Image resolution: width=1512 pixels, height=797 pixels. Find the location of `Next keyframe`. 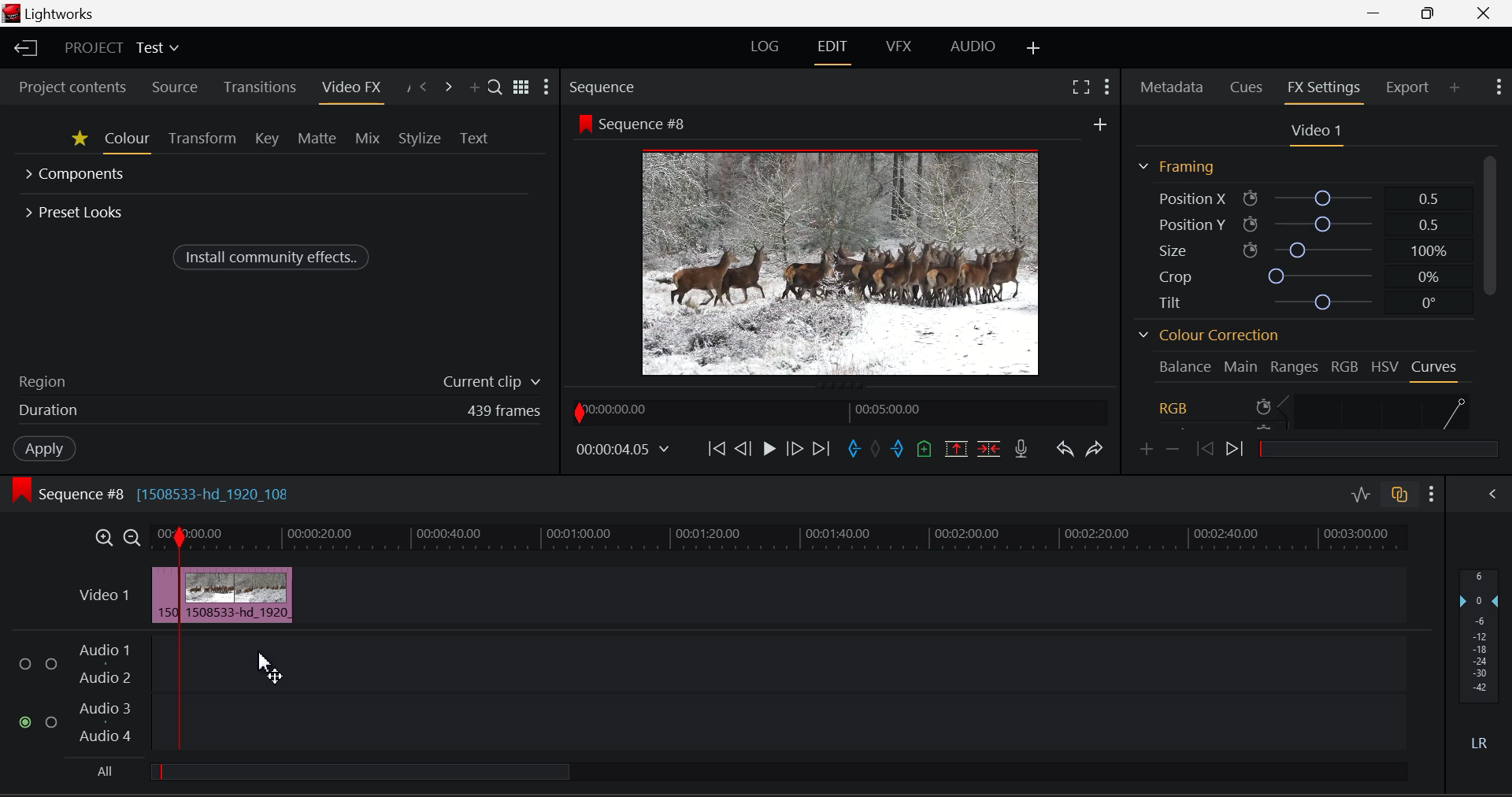

Next keyframe is located at coordinates (1238, 446).